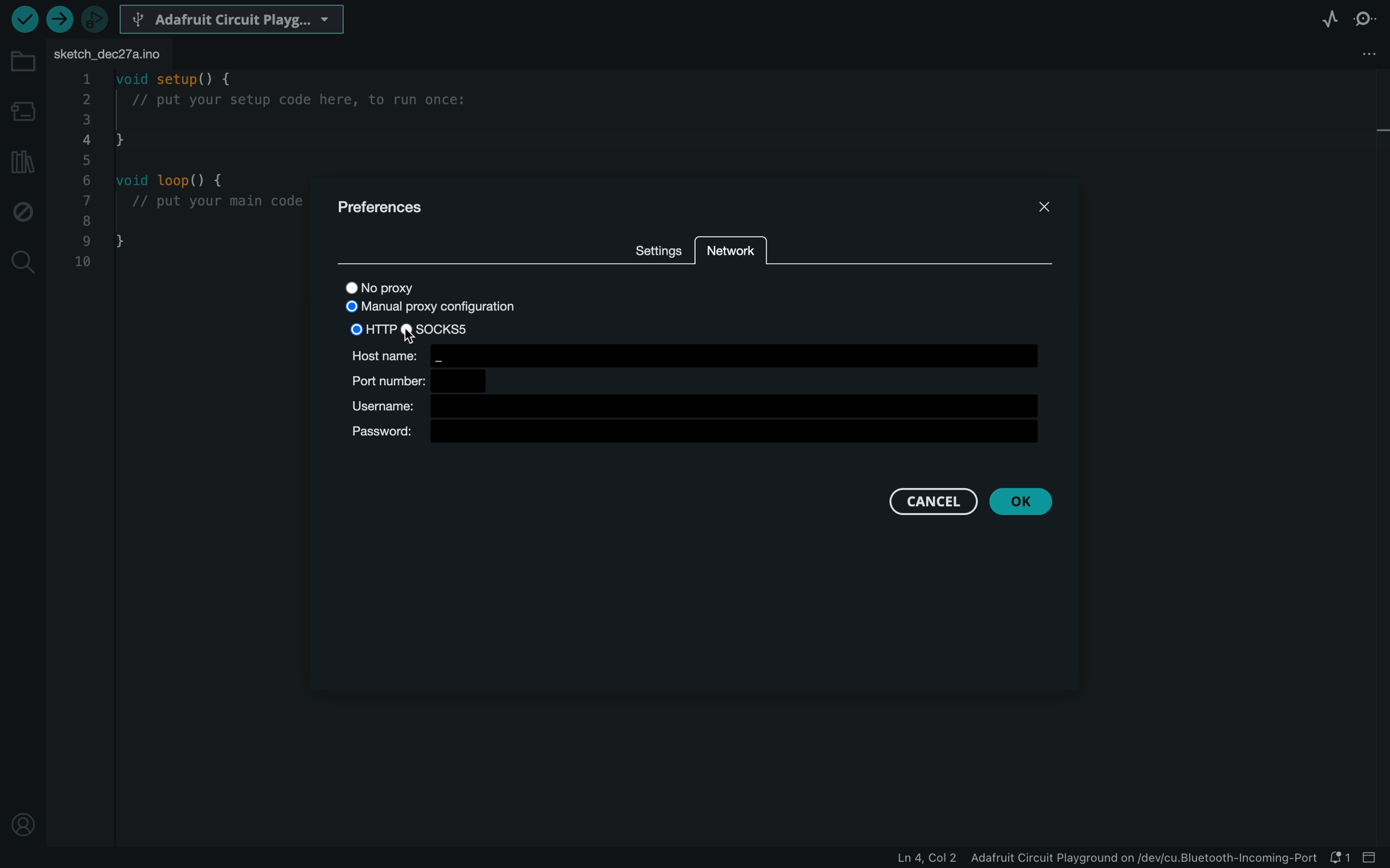 The image size is (1390, 868). Describe the element at coordinates (1330, 18) in the screenshot. I see `serial plotter` at that location.